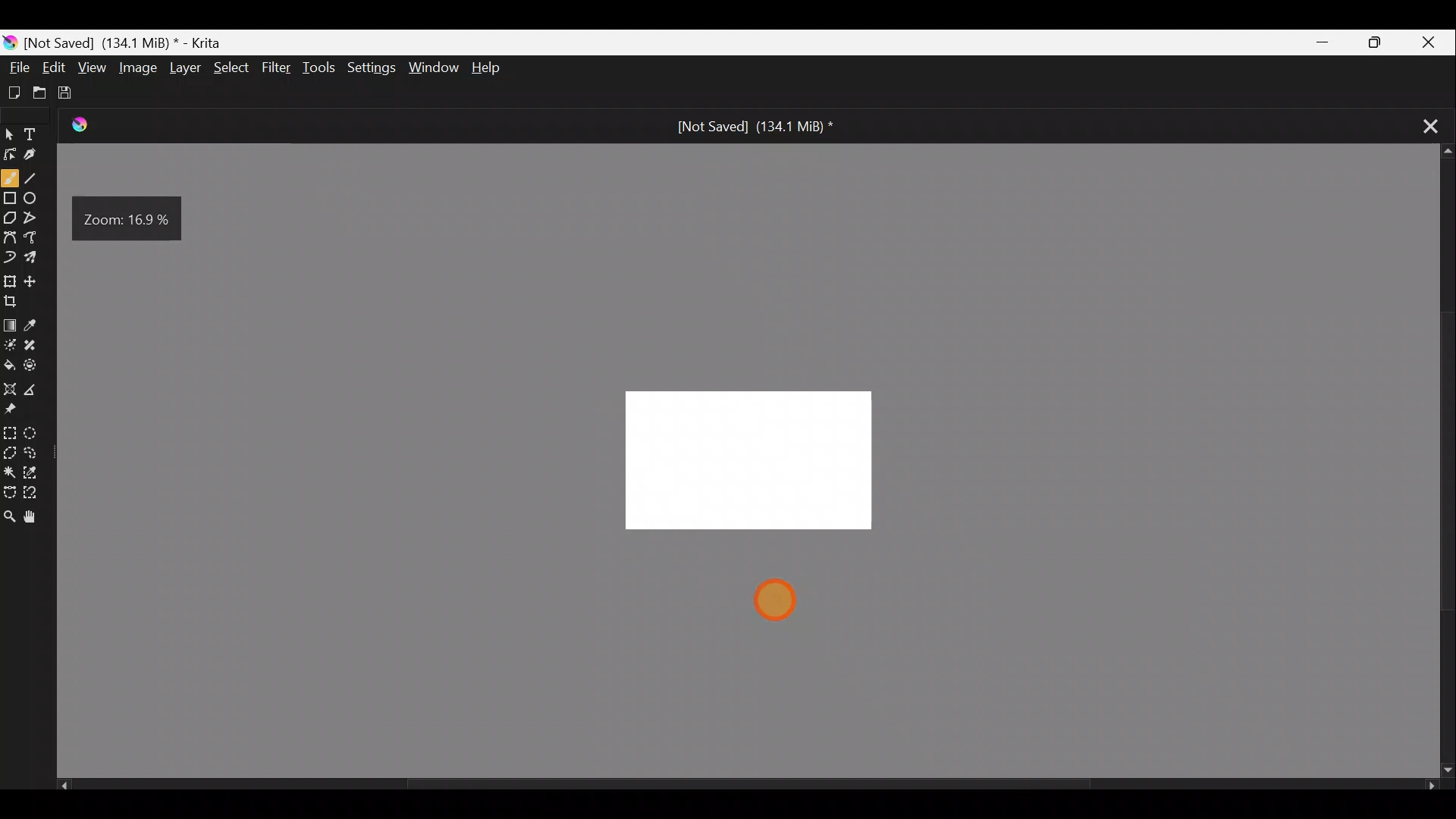  I want to click on Reference images tool, so click(12, 411).